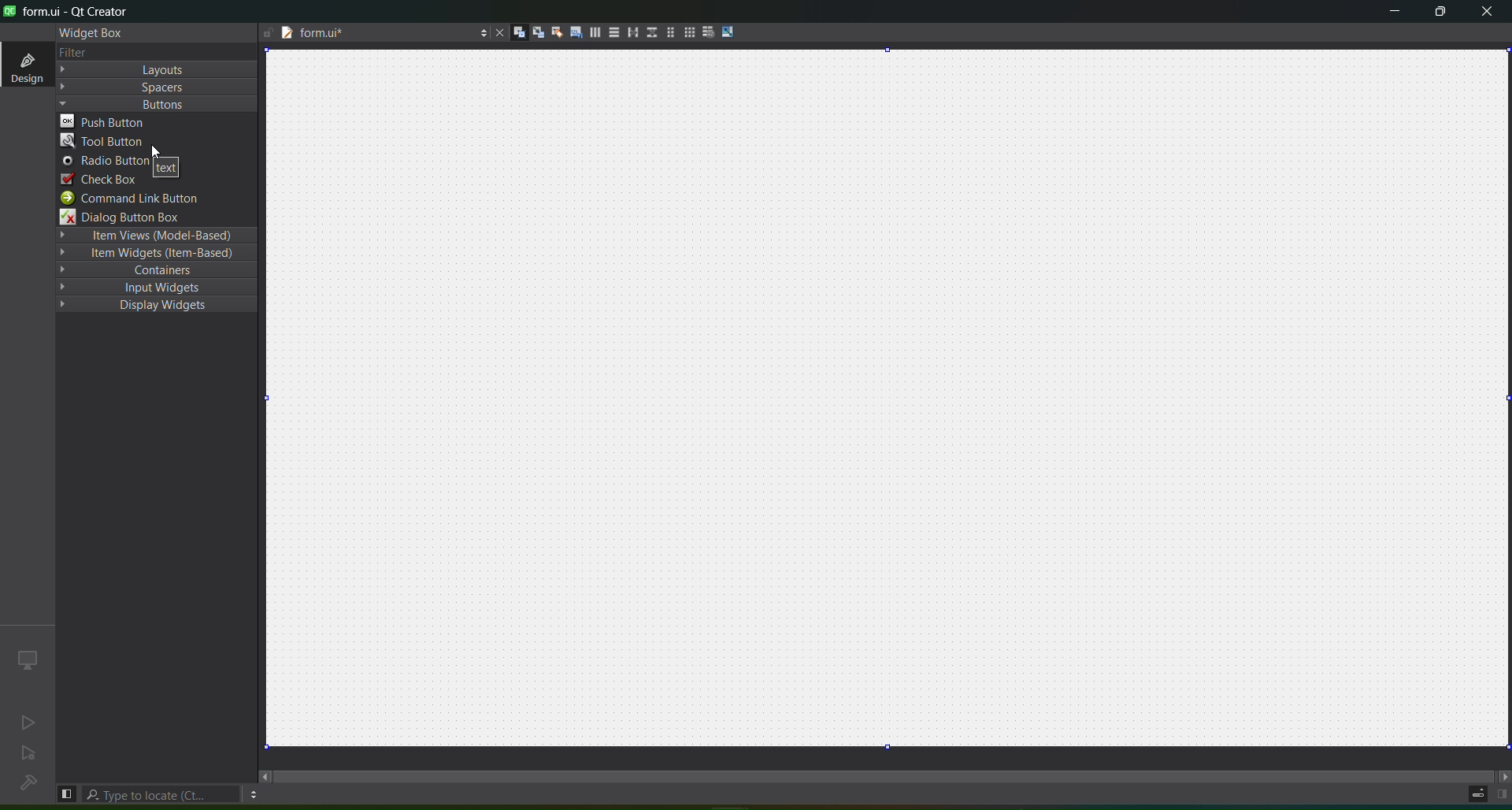 This screenshot has width=1512, height=810. Describe the element at coordinates (374, 35) in the screenshot. I see `file name` at that location.